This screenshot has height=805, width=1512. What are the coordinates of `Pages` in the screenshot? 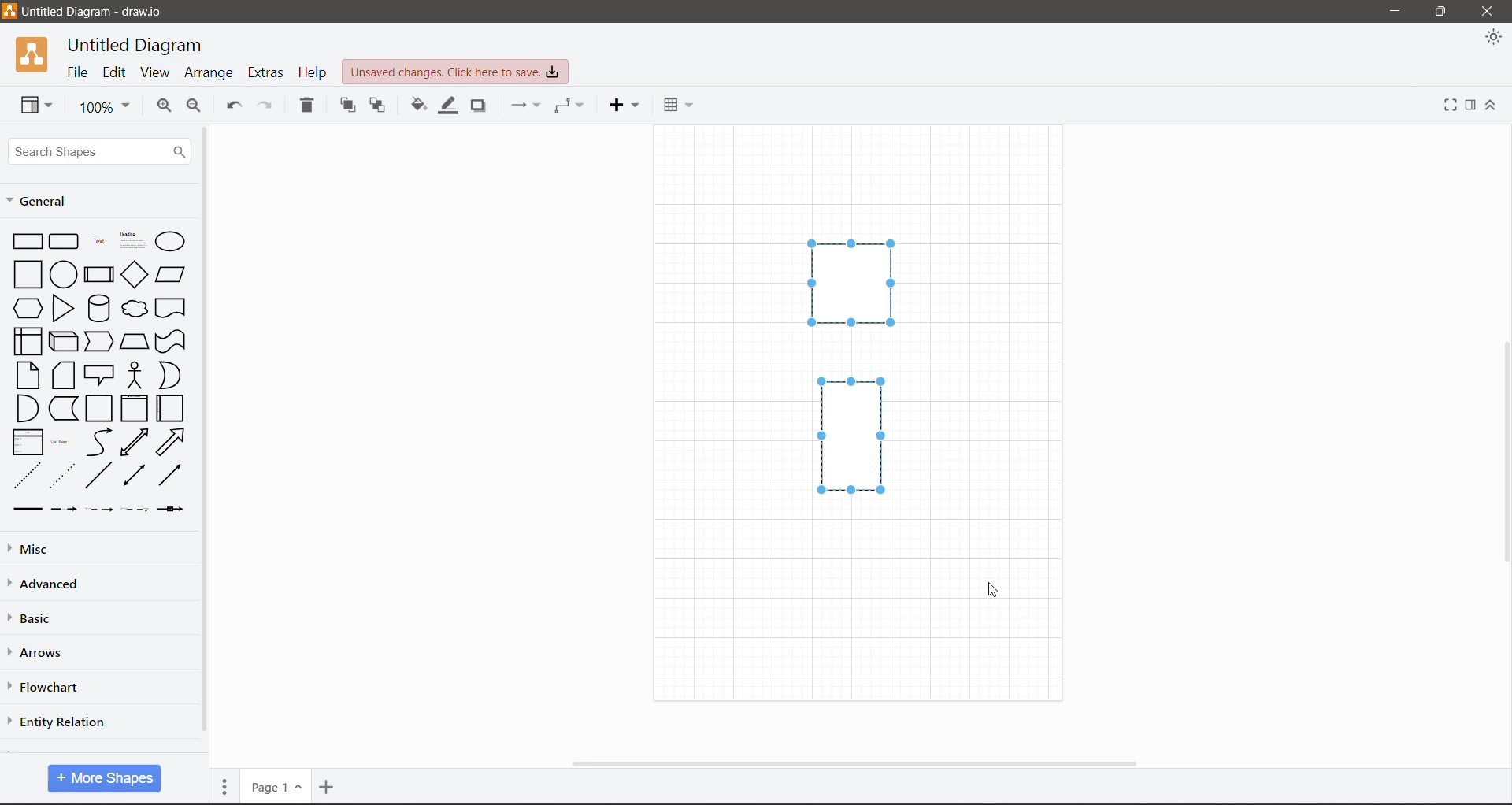 It's located at (225, 785).